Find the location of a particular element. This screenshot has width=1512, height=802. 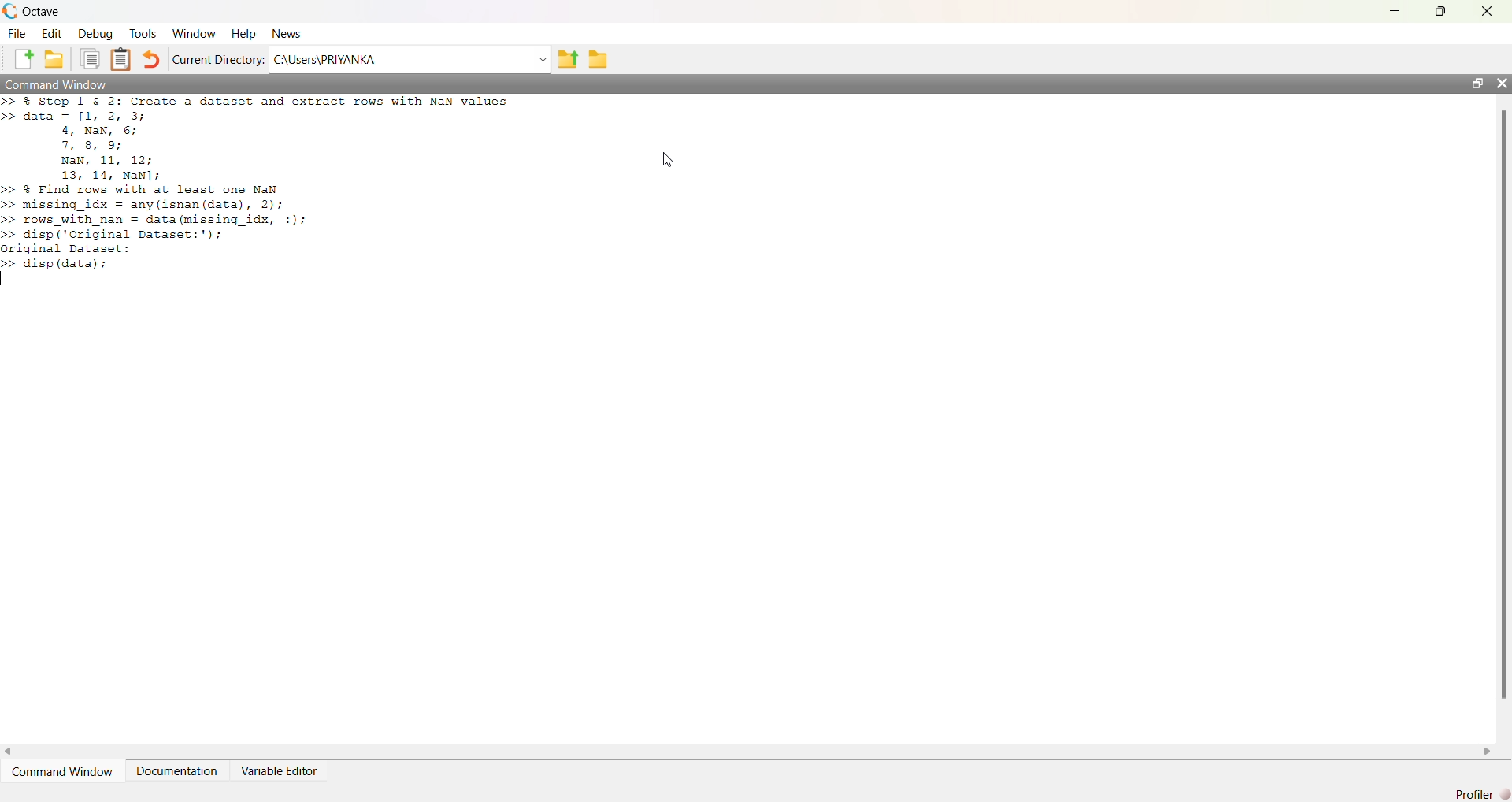

File is located at coordinates (17, 34).